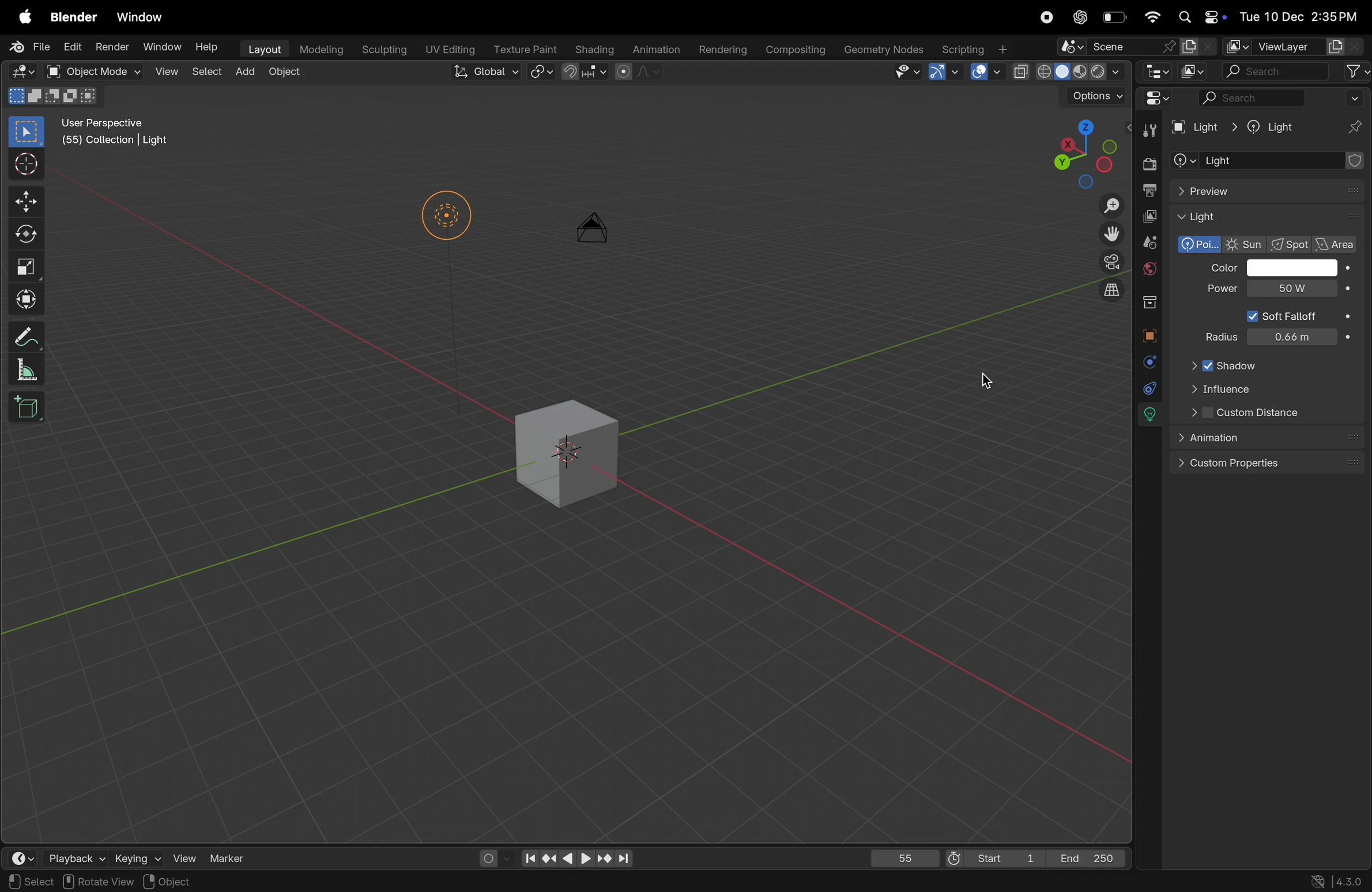 The width and height of the screenshot is (1372, 892). Describe the element at coordinates (570, 447) in the screenshot. I see `3d cube` at that location.